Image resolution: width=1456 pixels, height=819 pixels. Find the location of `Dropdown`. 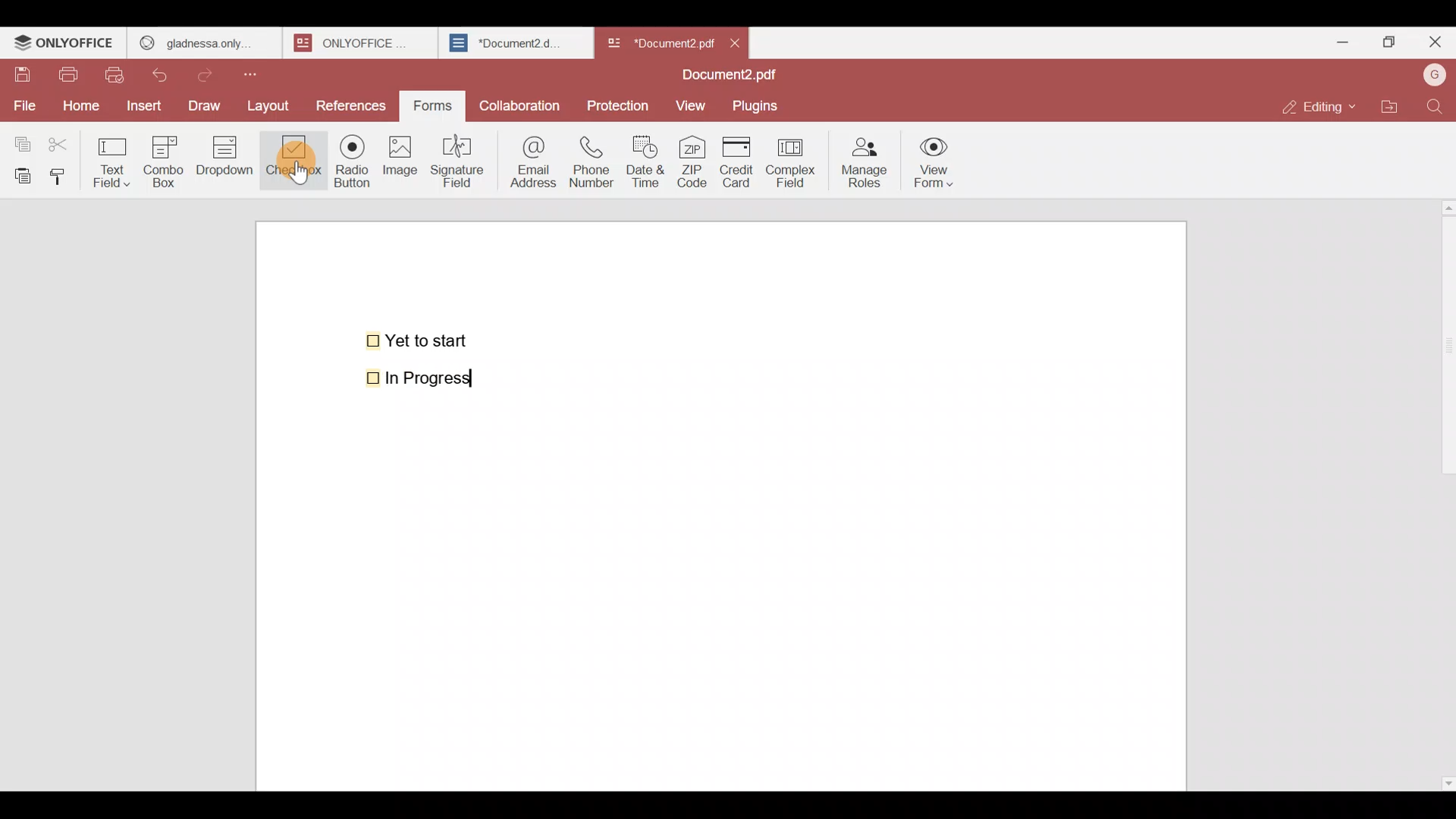

Dropdown is located at coordinates (227, 162).